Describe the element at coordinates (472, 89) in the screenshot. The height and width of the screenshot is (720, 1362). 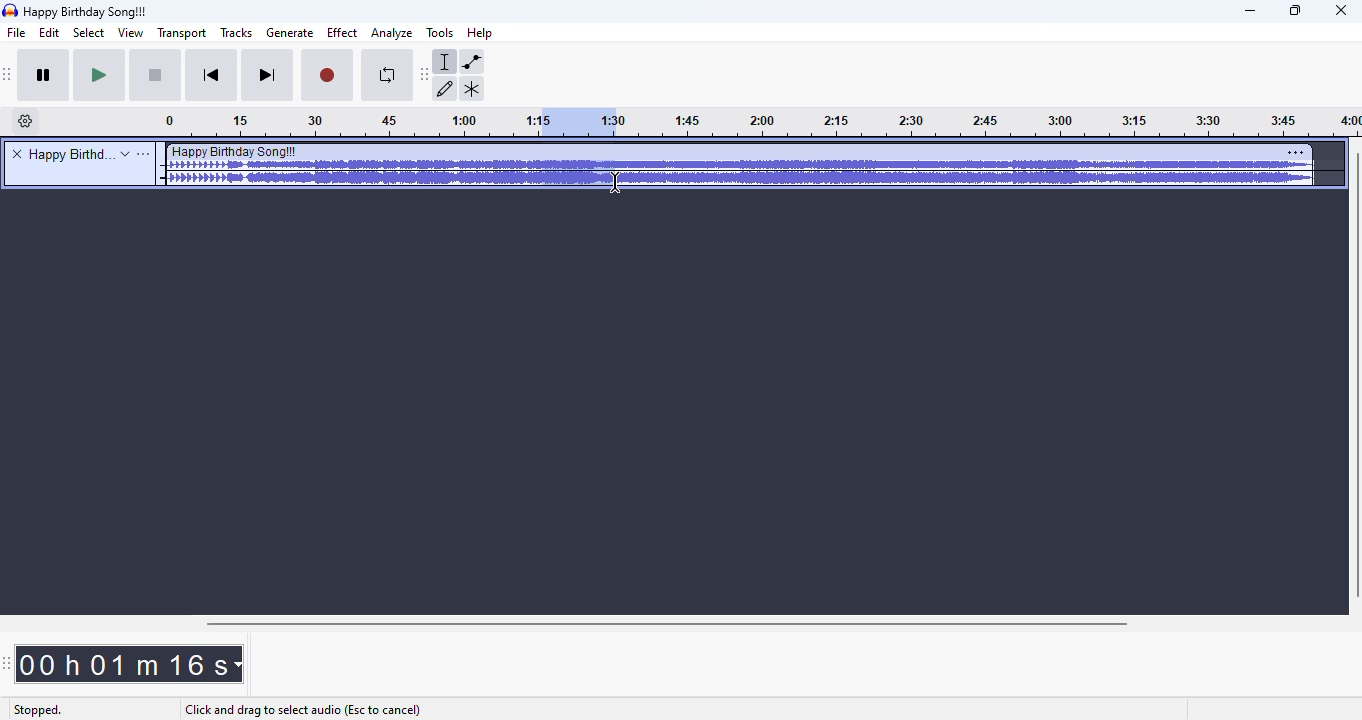
I see `multi-tool` at that location.